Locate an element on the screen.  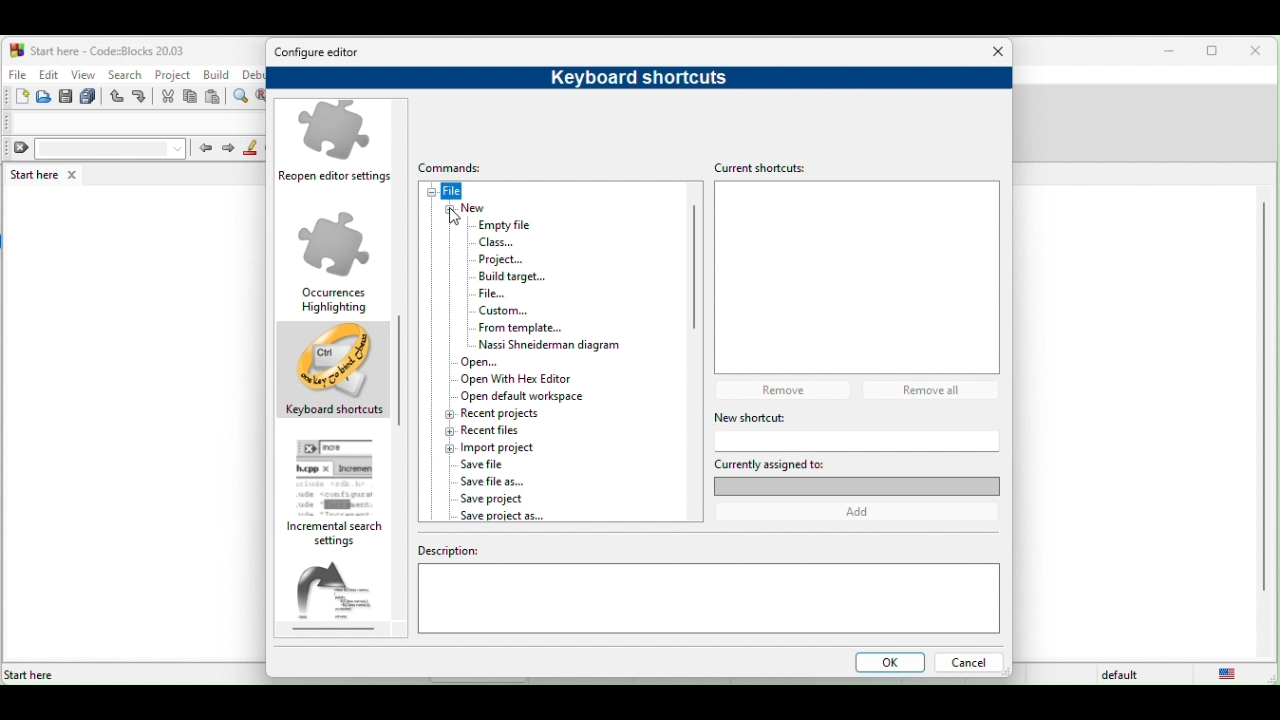
Start here is located at coordinates (30, 675).